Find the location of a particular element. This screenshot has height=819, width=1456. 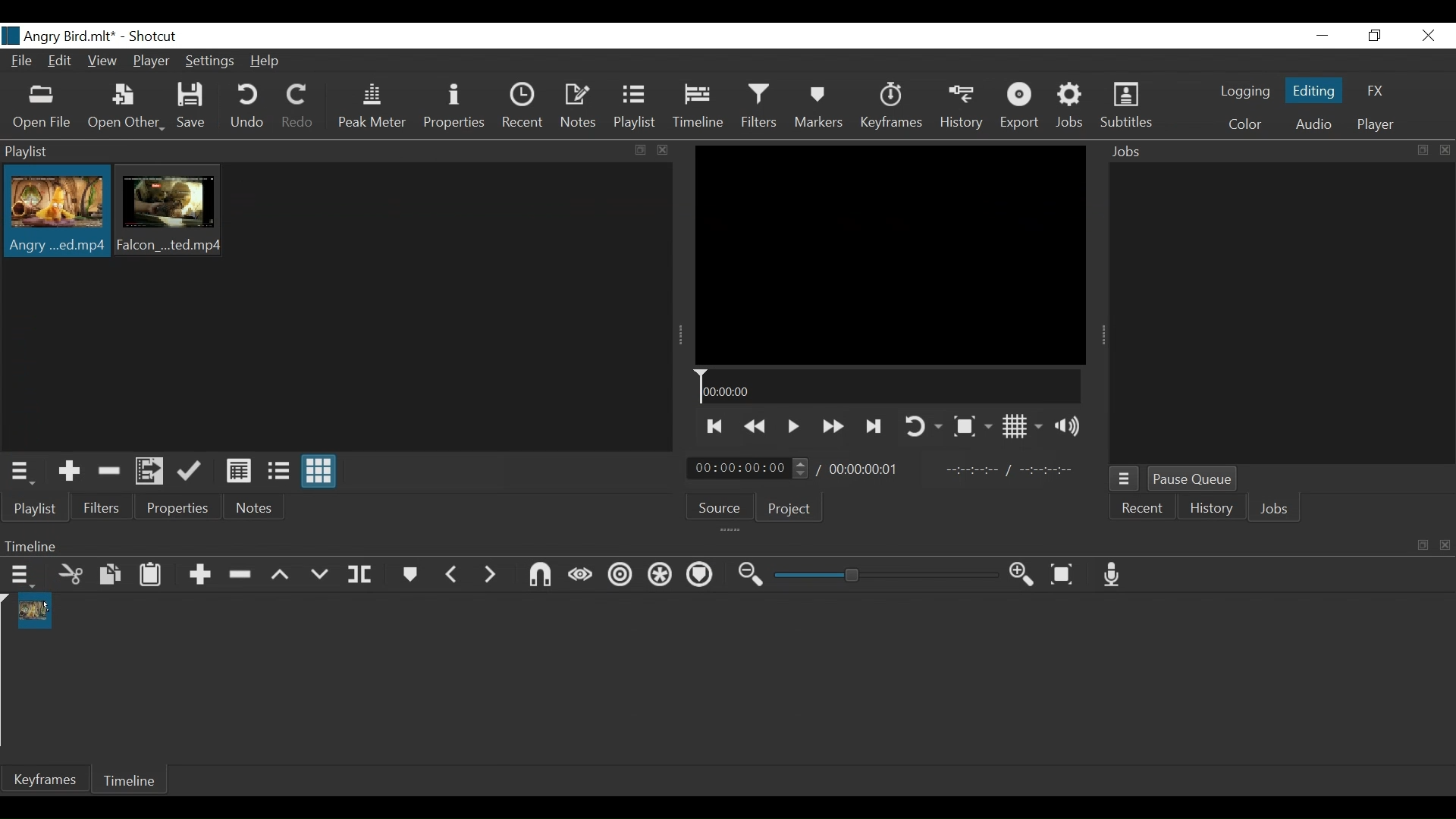

Source is located at coordinates (718, 506).